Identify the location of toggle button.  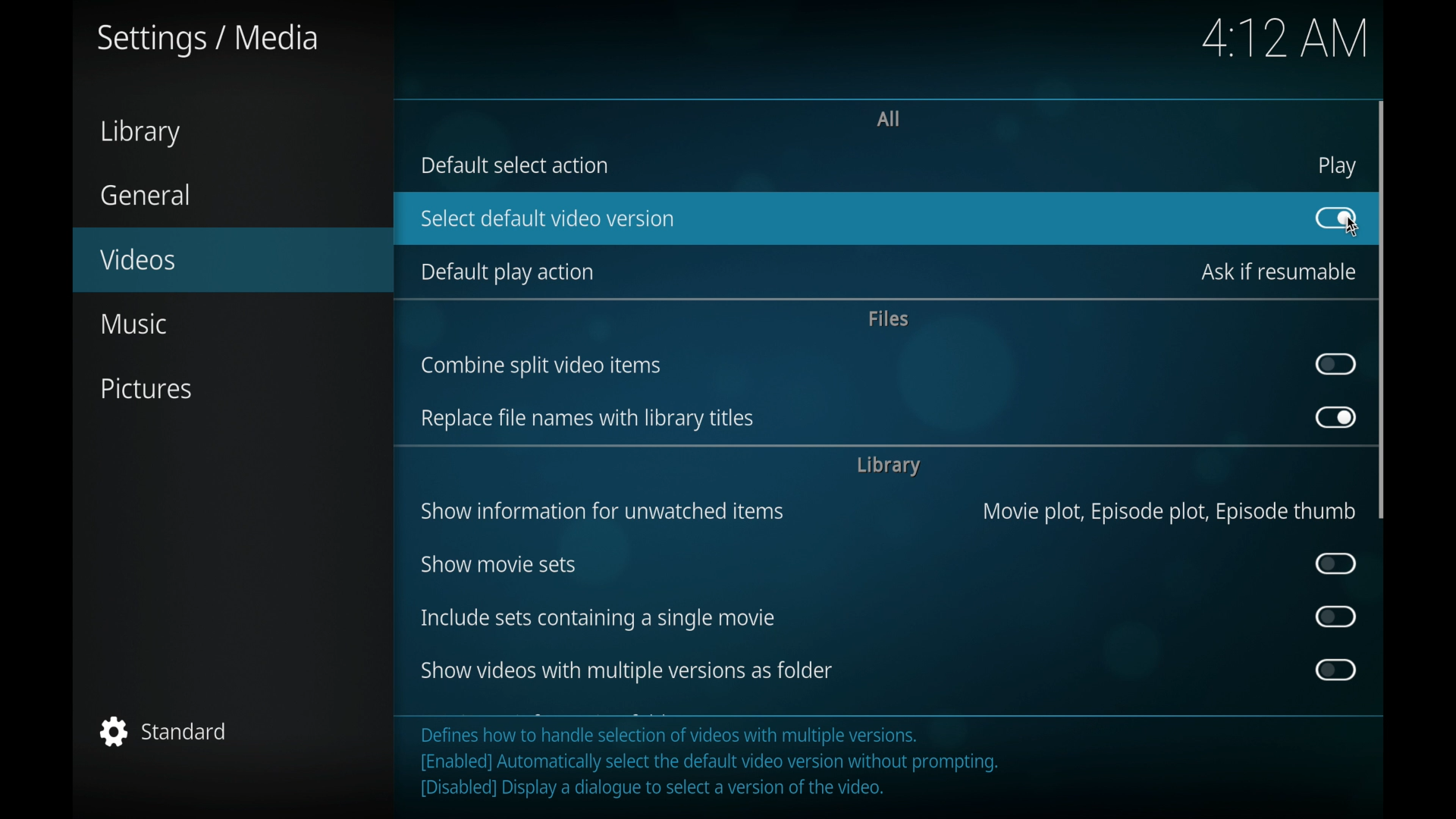
(1338, 670).